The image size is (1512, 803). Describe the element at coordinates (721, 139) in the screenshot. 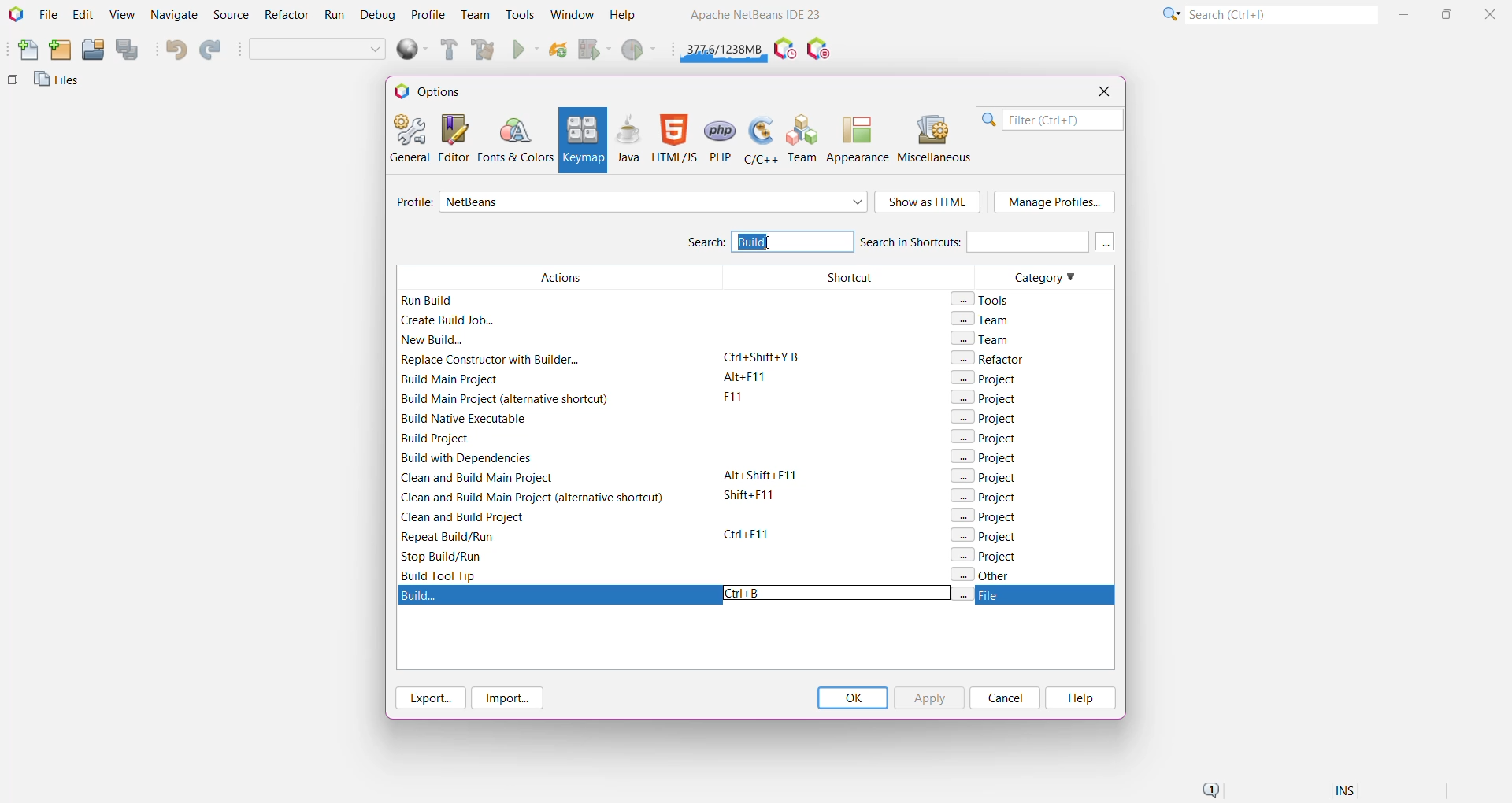

I see `PHP` at that location.